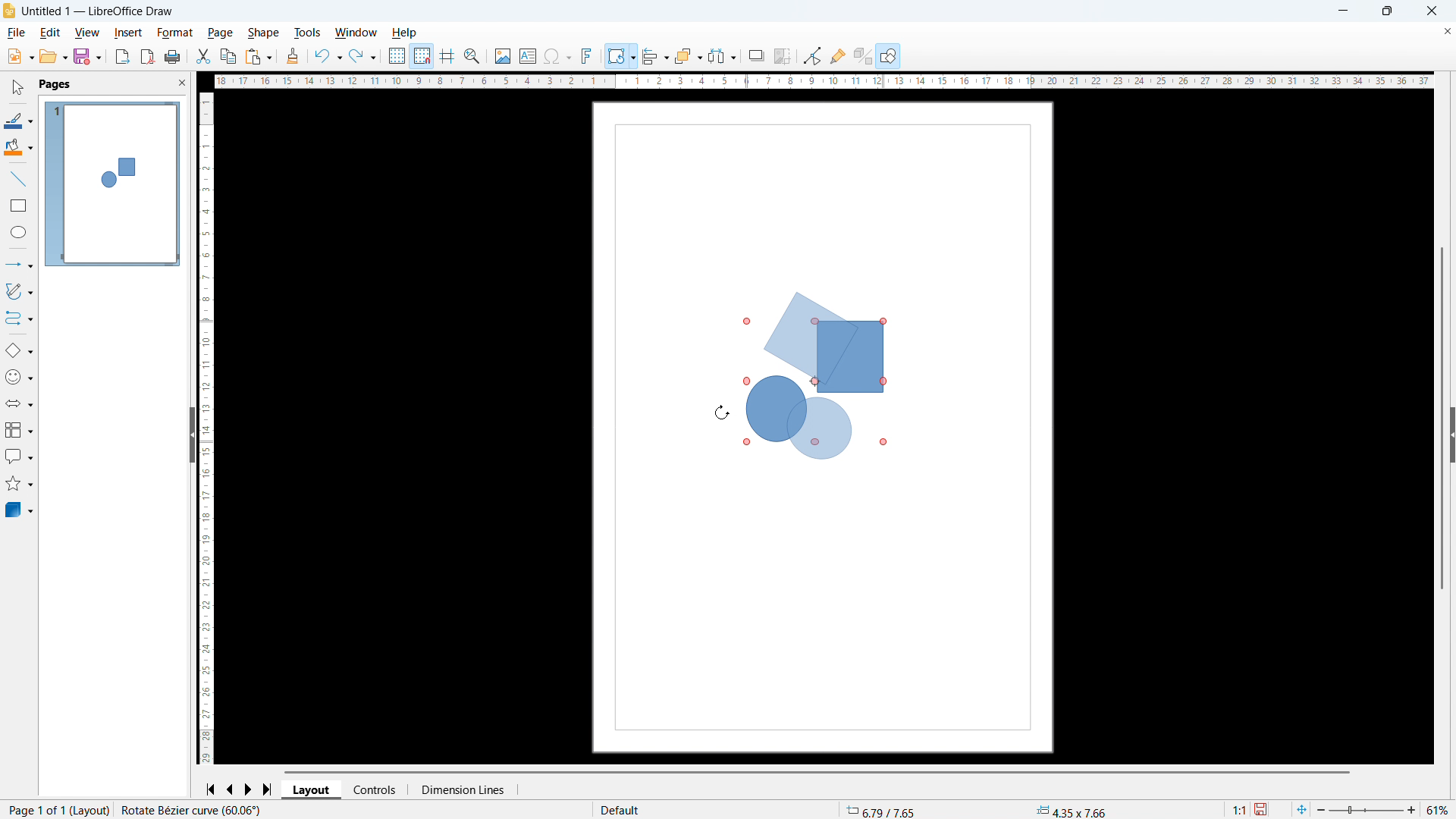 This screenshot has width=1456, height=819. Describe the element at coordinates (587, 55) in the screenshot. I see `Insert font work text` at that location.